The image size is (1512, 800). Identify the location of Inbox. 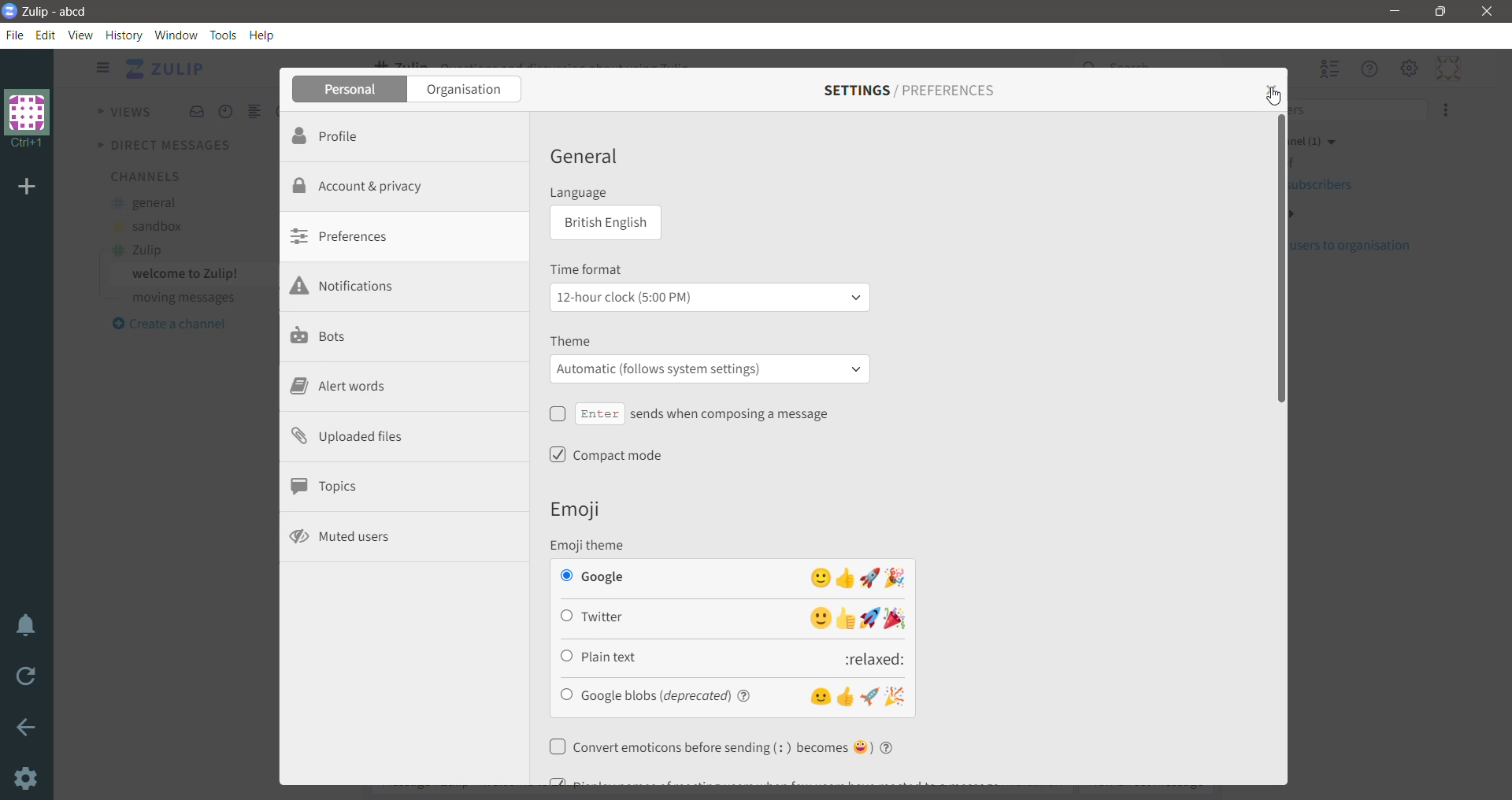
(197, 111).